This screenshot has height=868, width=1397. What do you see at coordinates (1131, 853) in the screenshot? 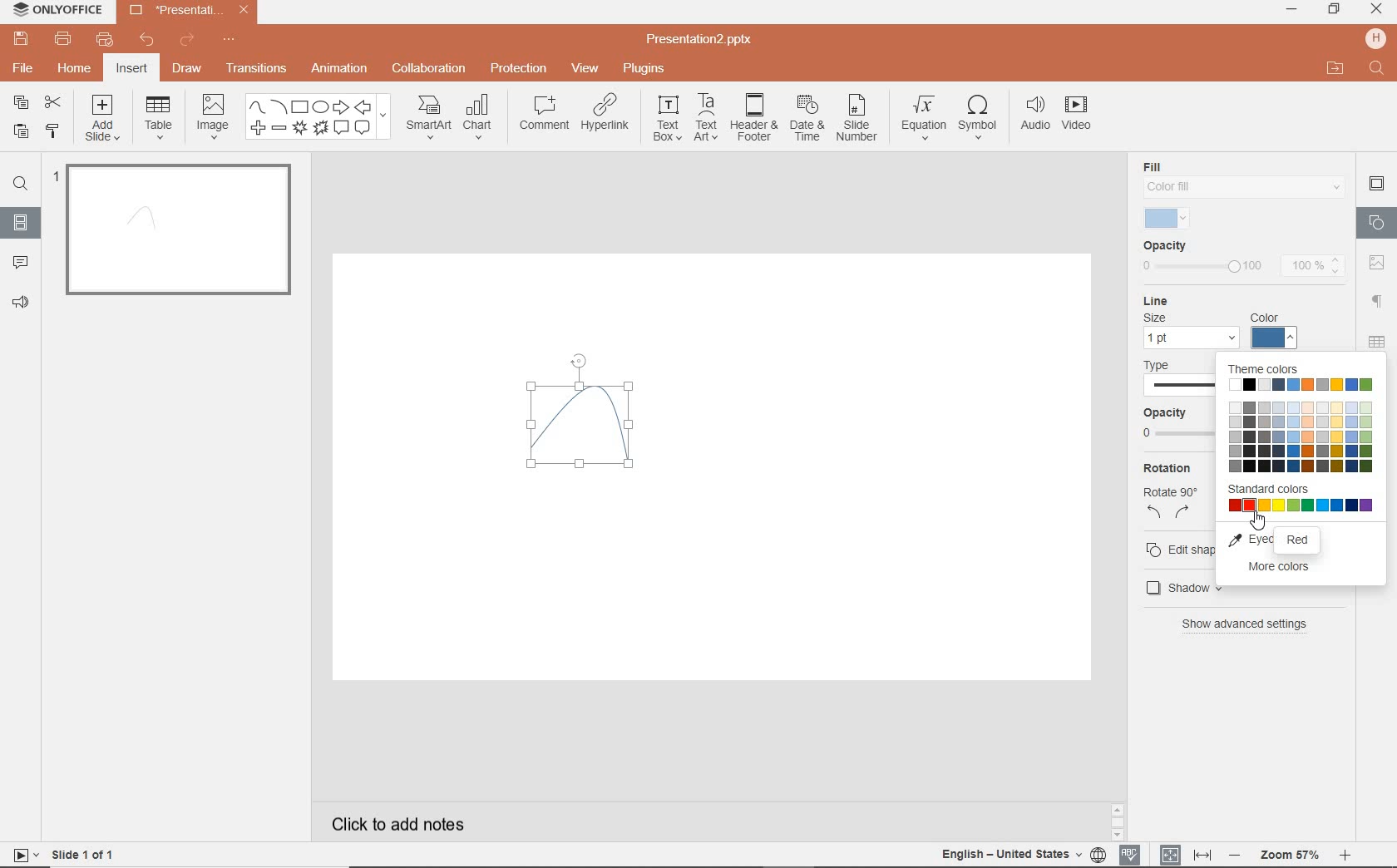
I see `SPELL CHECKING` at bounding box center [1131, 853].